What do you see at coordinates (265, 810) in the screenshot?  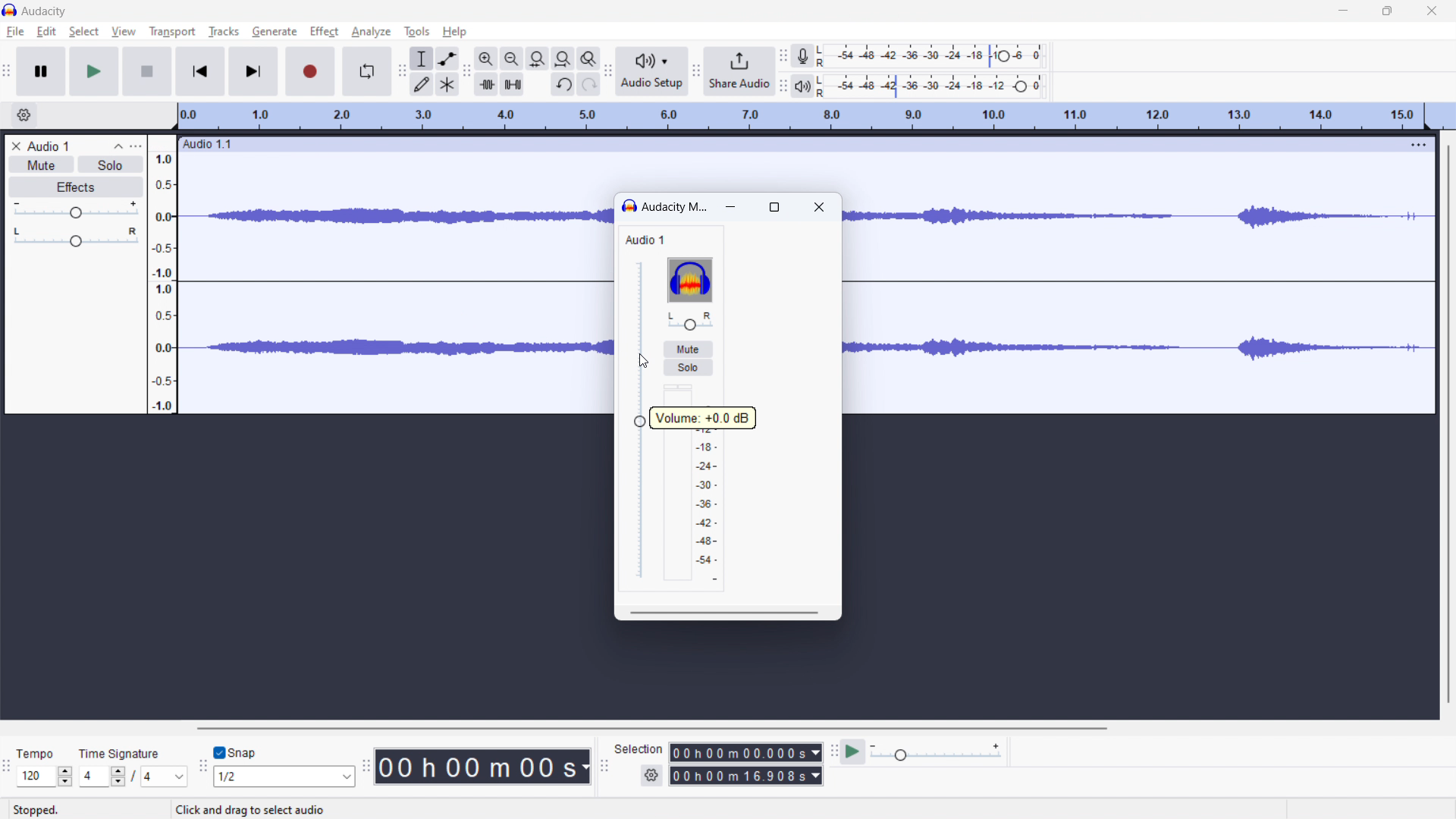 I see `Click and drag to select audio` at bounding box center [265, 810].